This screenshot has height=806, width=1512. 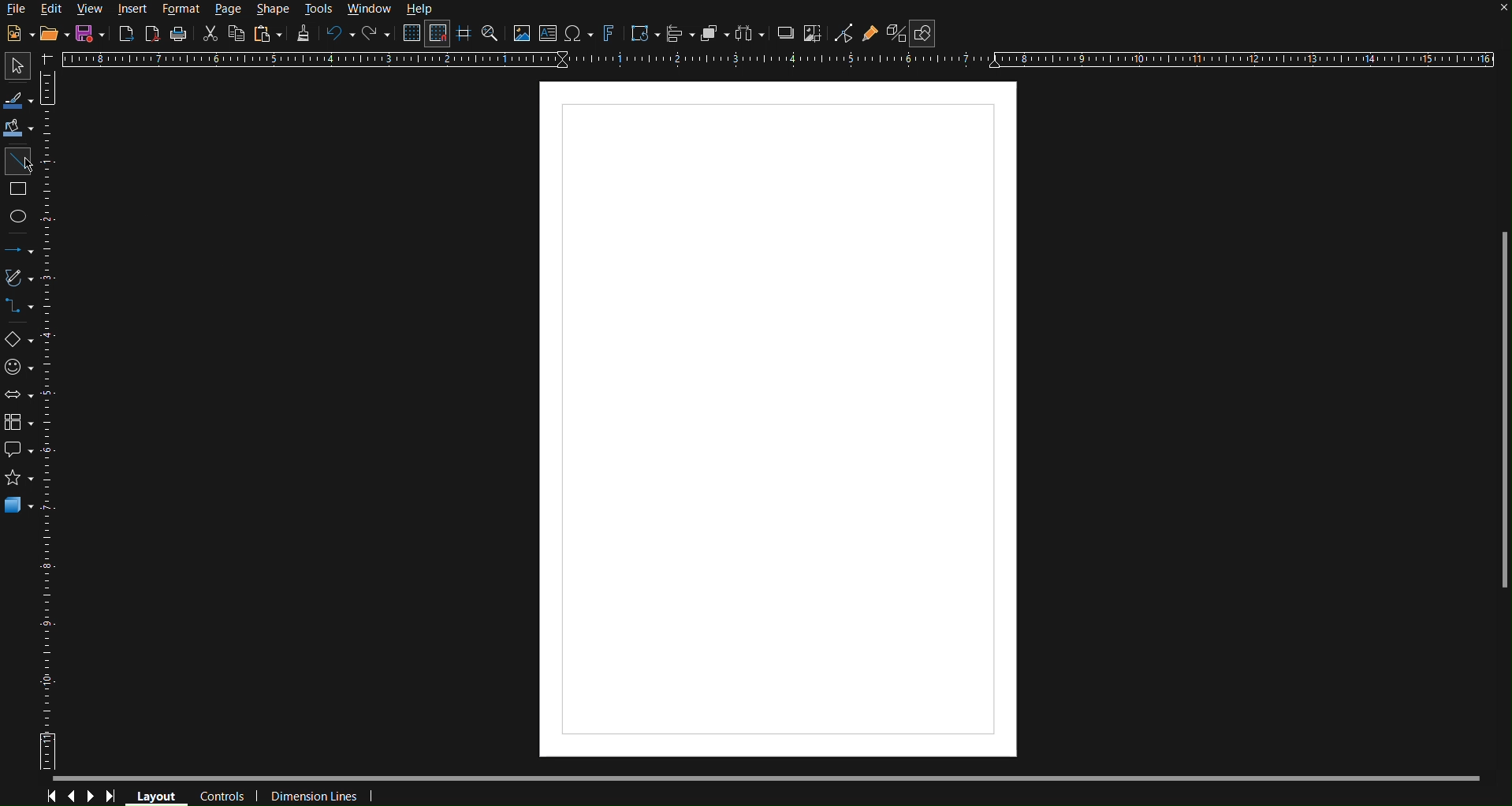 I want to click on Help, so click(x=418, y=9).